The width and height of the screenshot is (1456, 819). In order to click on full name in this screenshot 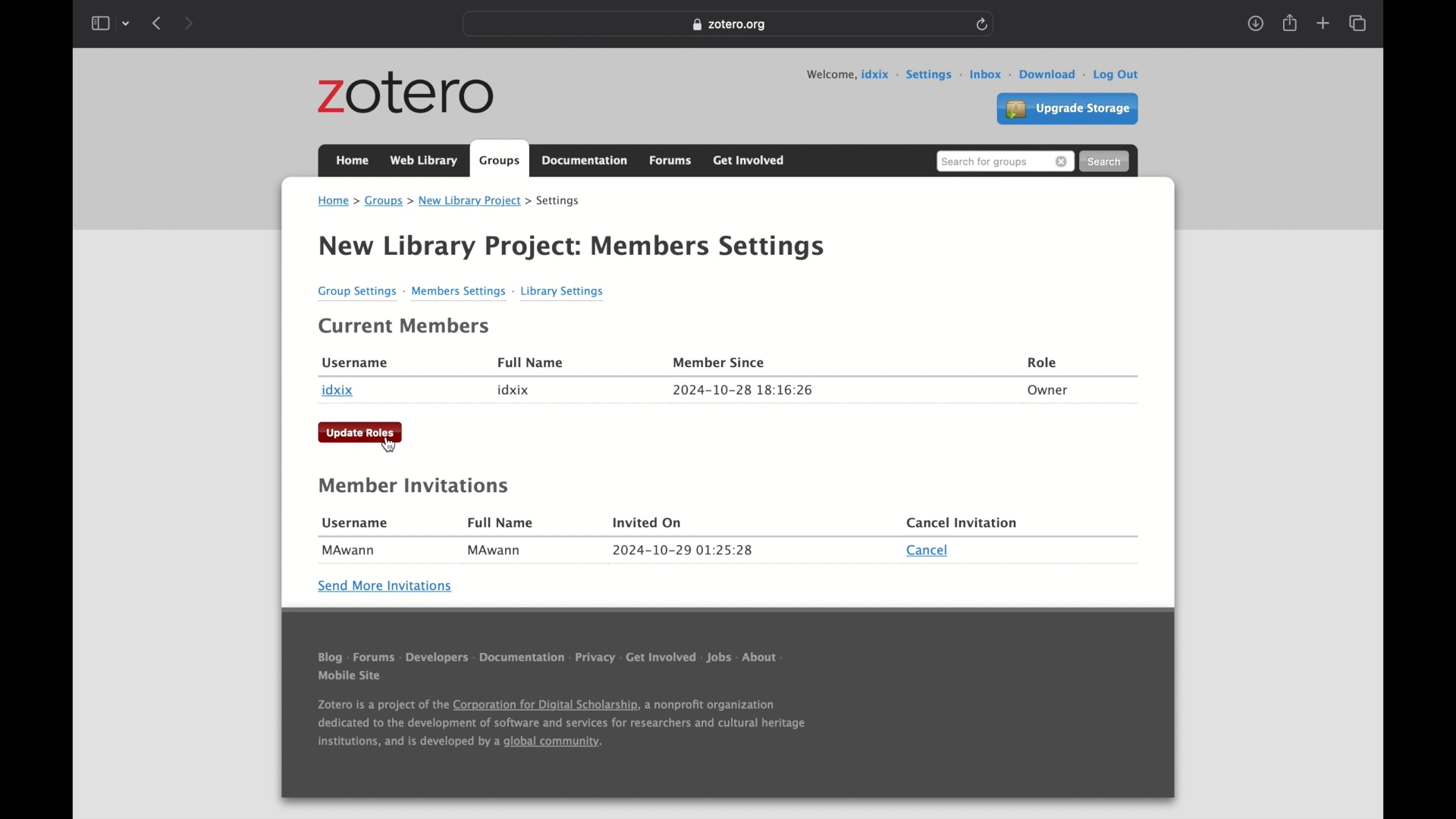, I will do `click(502, 522)`.